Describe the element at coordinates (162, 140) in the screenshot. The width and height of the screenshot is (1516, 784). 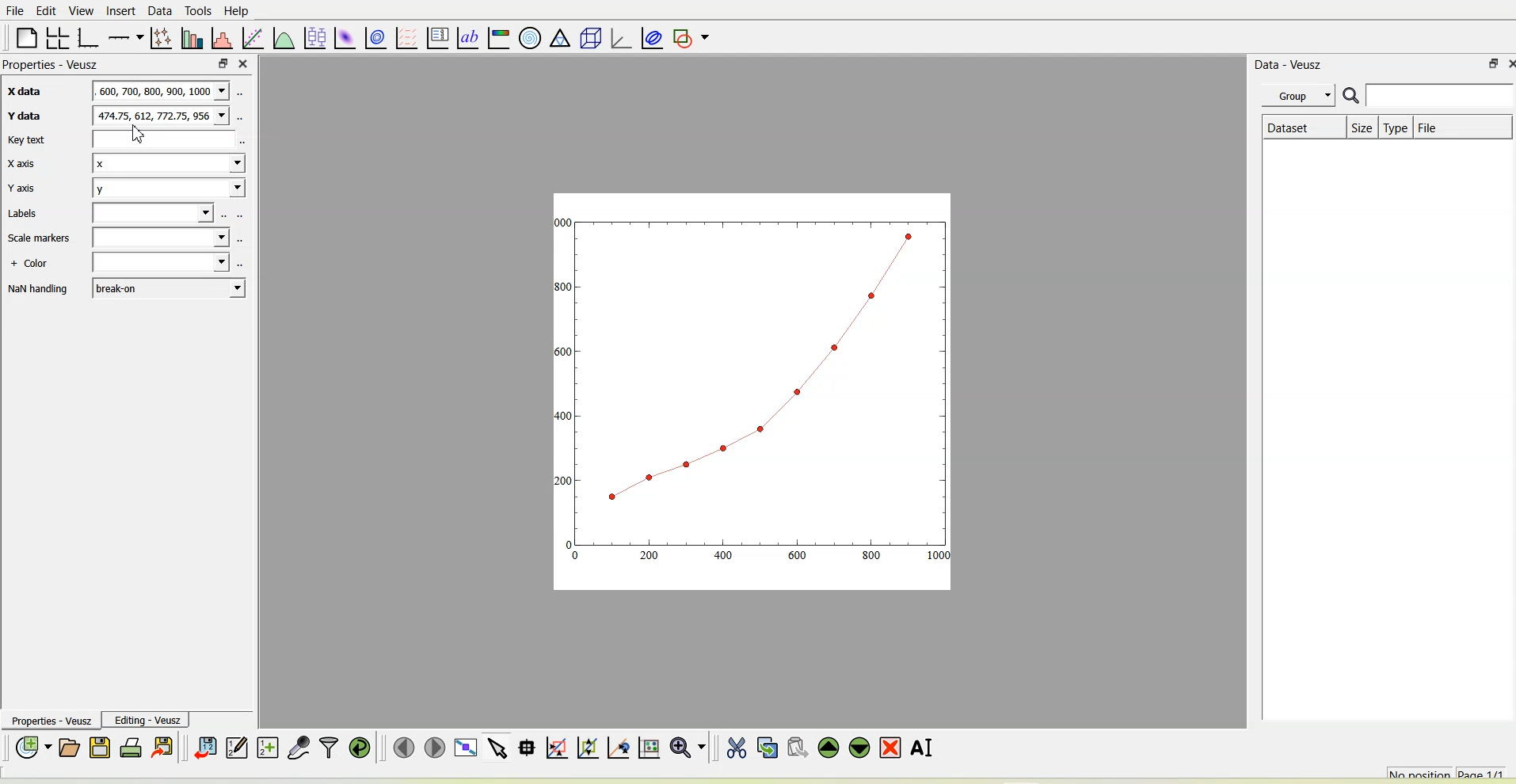
I see `Blank` at that location.